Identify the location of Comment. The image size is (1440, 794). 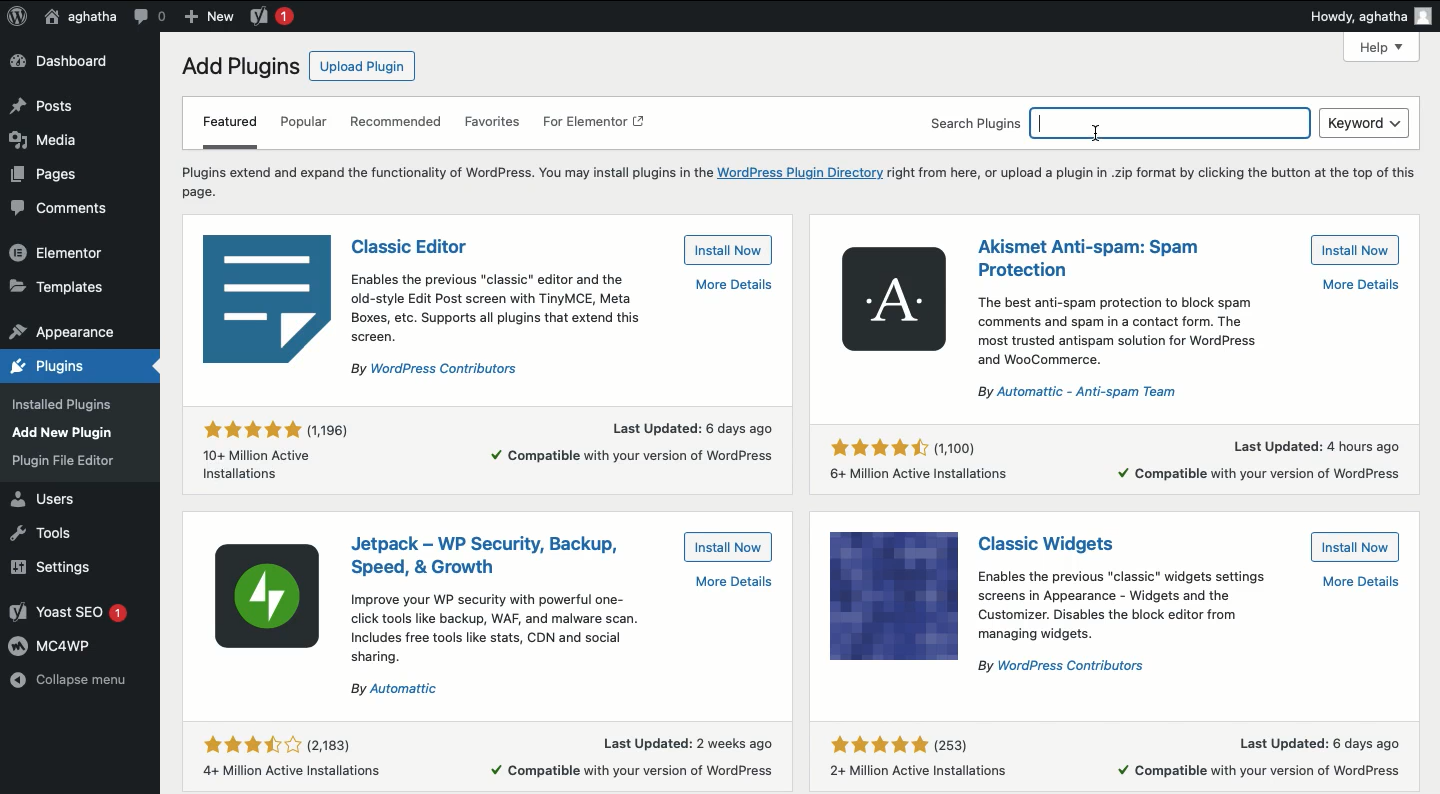
(150, 15).